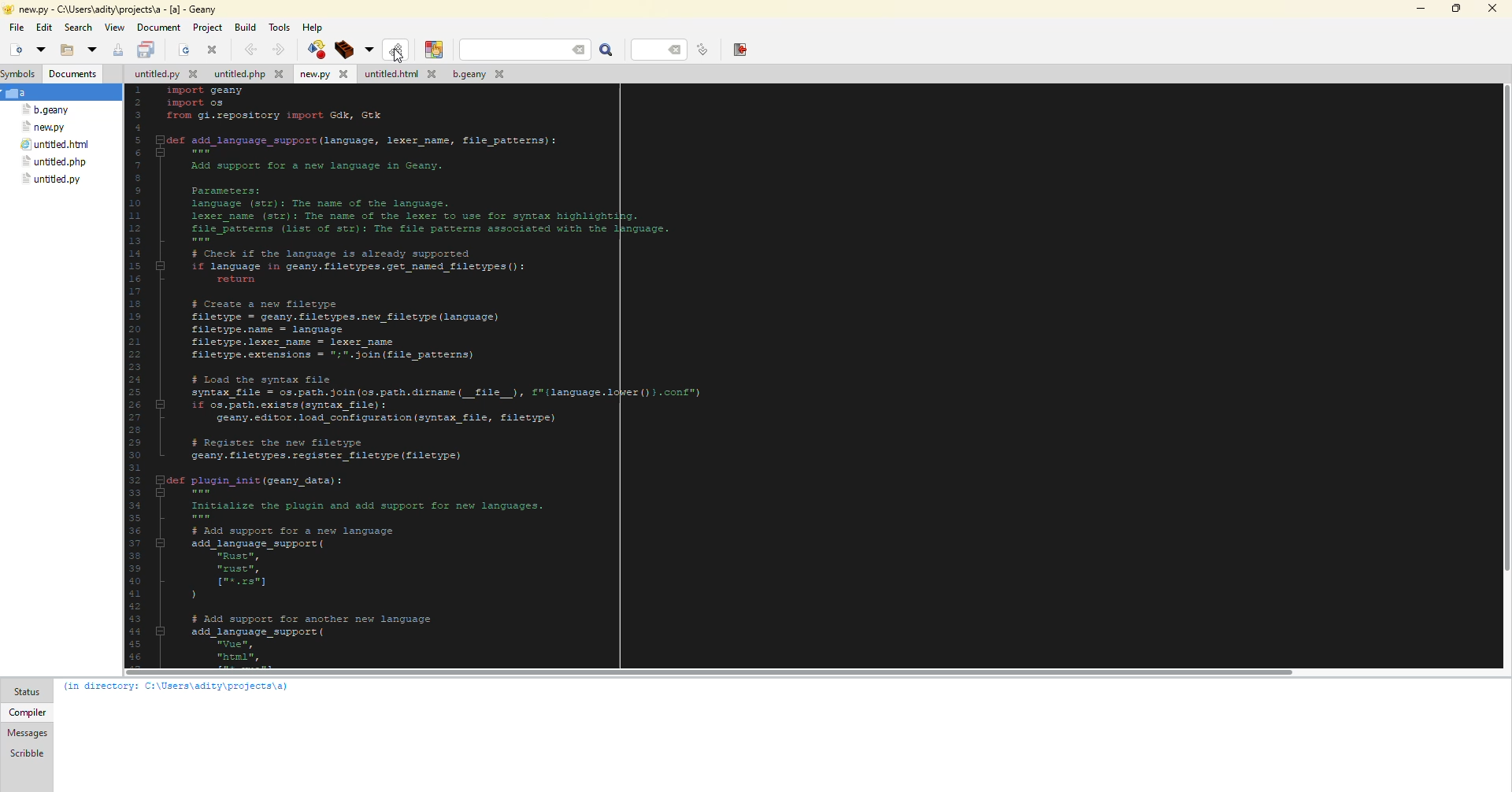 This screenshot has width=1512, height=792. Describe the element at coordinates (14, 50) in the screenshot. I see `new` at that location.